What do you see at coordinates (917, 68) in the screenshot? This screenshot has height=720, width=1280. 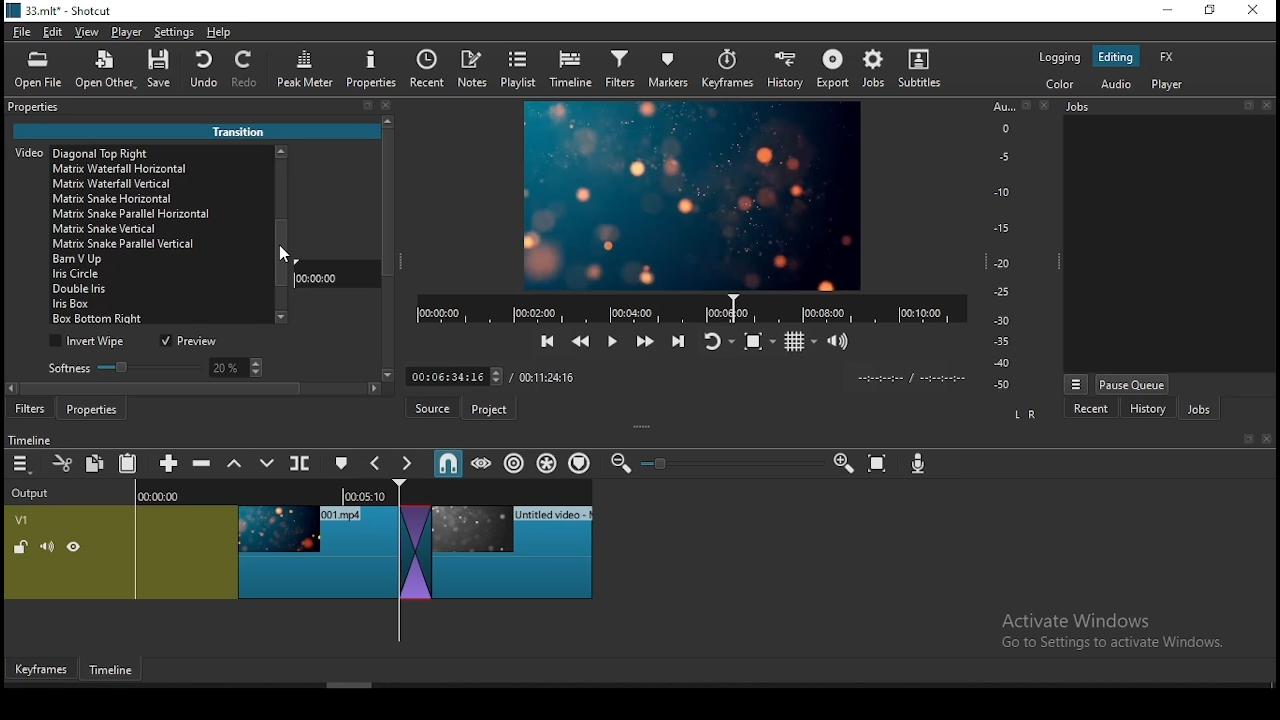 I see `subtitle` at bounding box center [917, 68].